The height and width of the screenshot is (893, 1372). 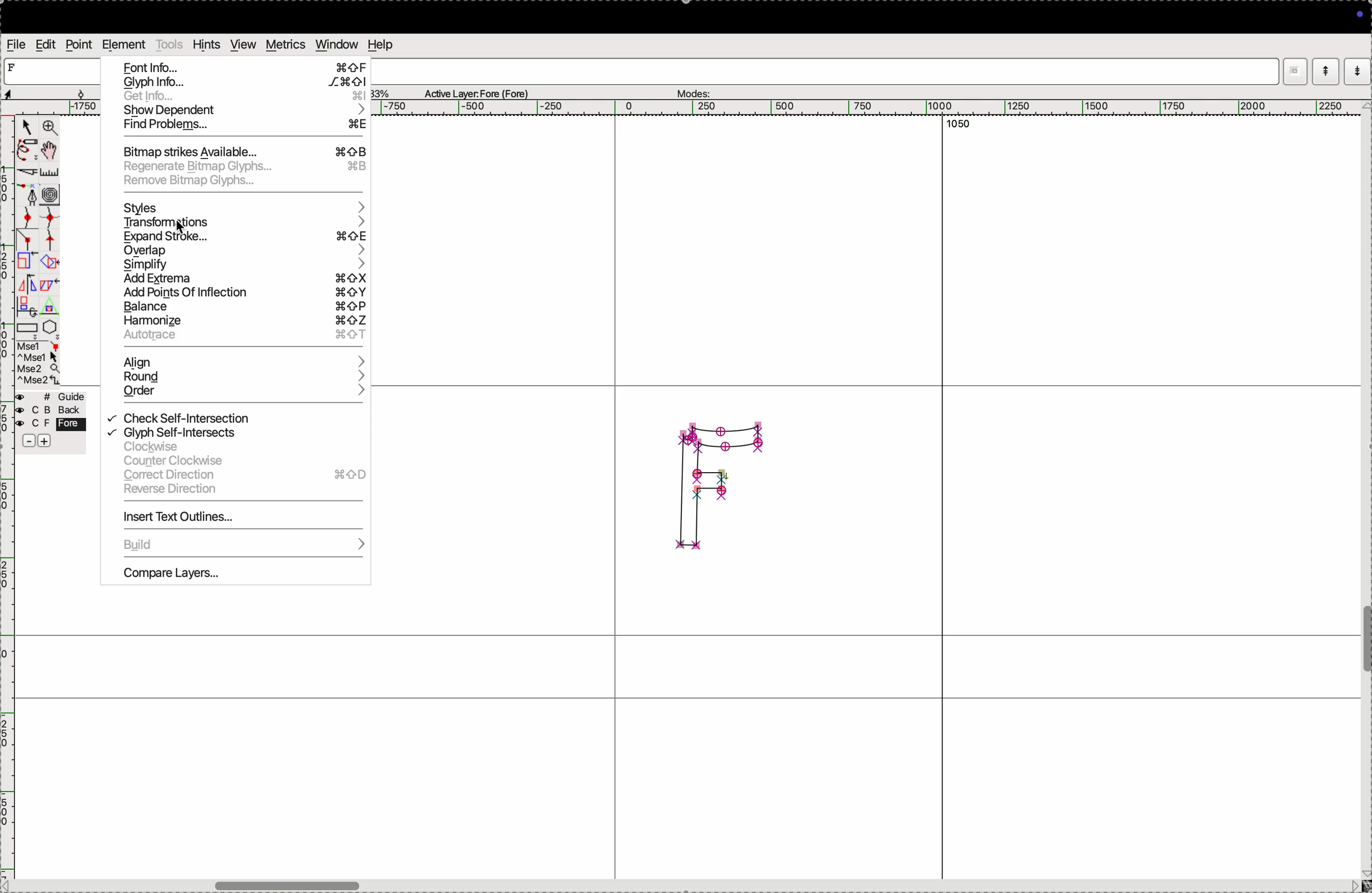 What do you see at coordinates (24, 442) in the screenshot?
I see `sbubtract` at bounding box center [24, 442].